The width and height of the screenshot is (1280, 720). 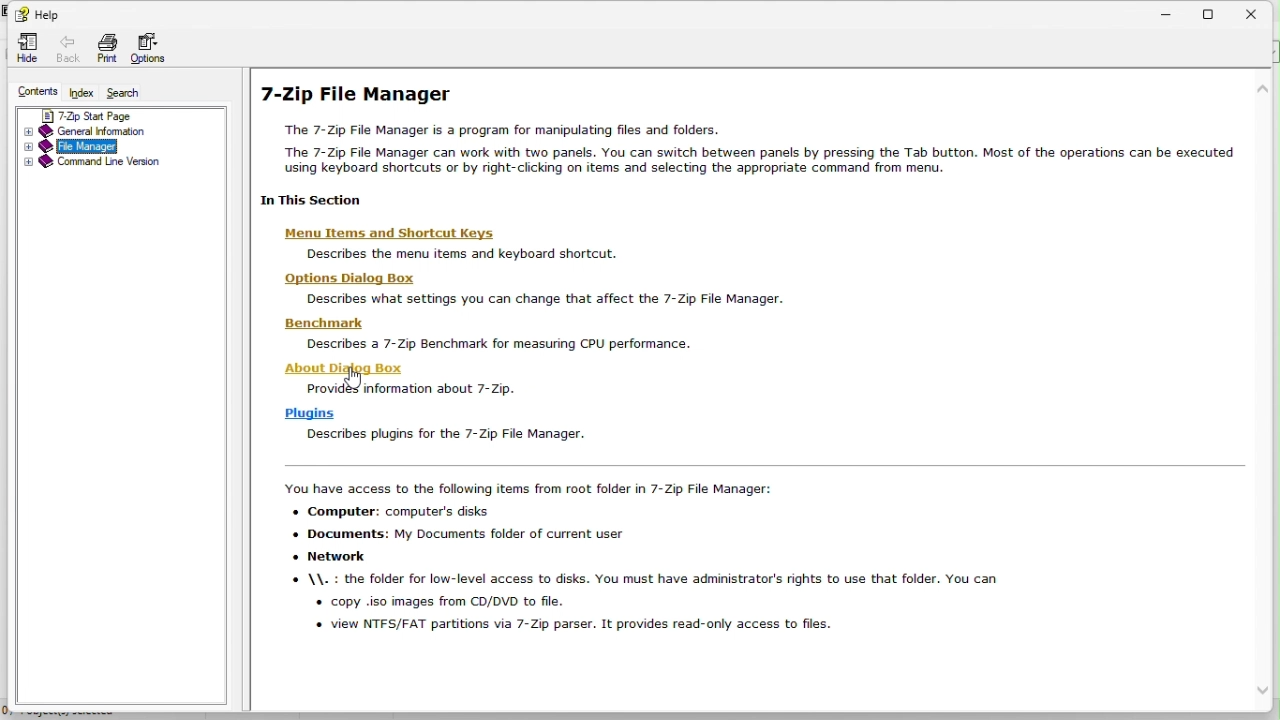 What do you see at coordinates (69, 147) in the screenshot?
I see `File manager` at bounding box center [69, 147].